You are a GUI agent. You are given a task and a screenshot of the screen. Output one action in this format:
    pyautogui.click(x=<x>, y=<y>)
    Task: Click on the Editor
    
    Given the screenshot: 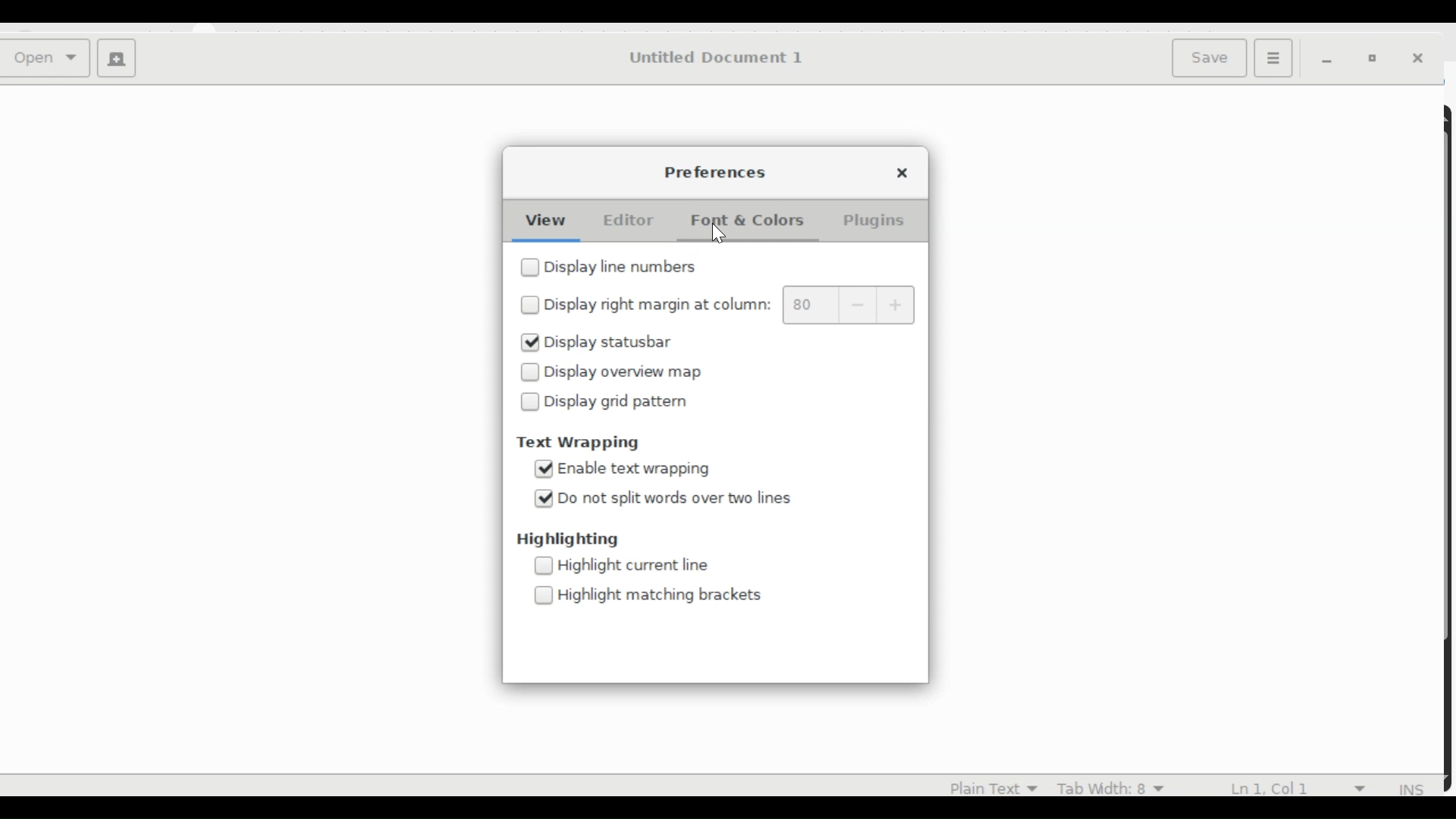 What is the action you would take?
    pyautogui.click(x=626, y=220)
    